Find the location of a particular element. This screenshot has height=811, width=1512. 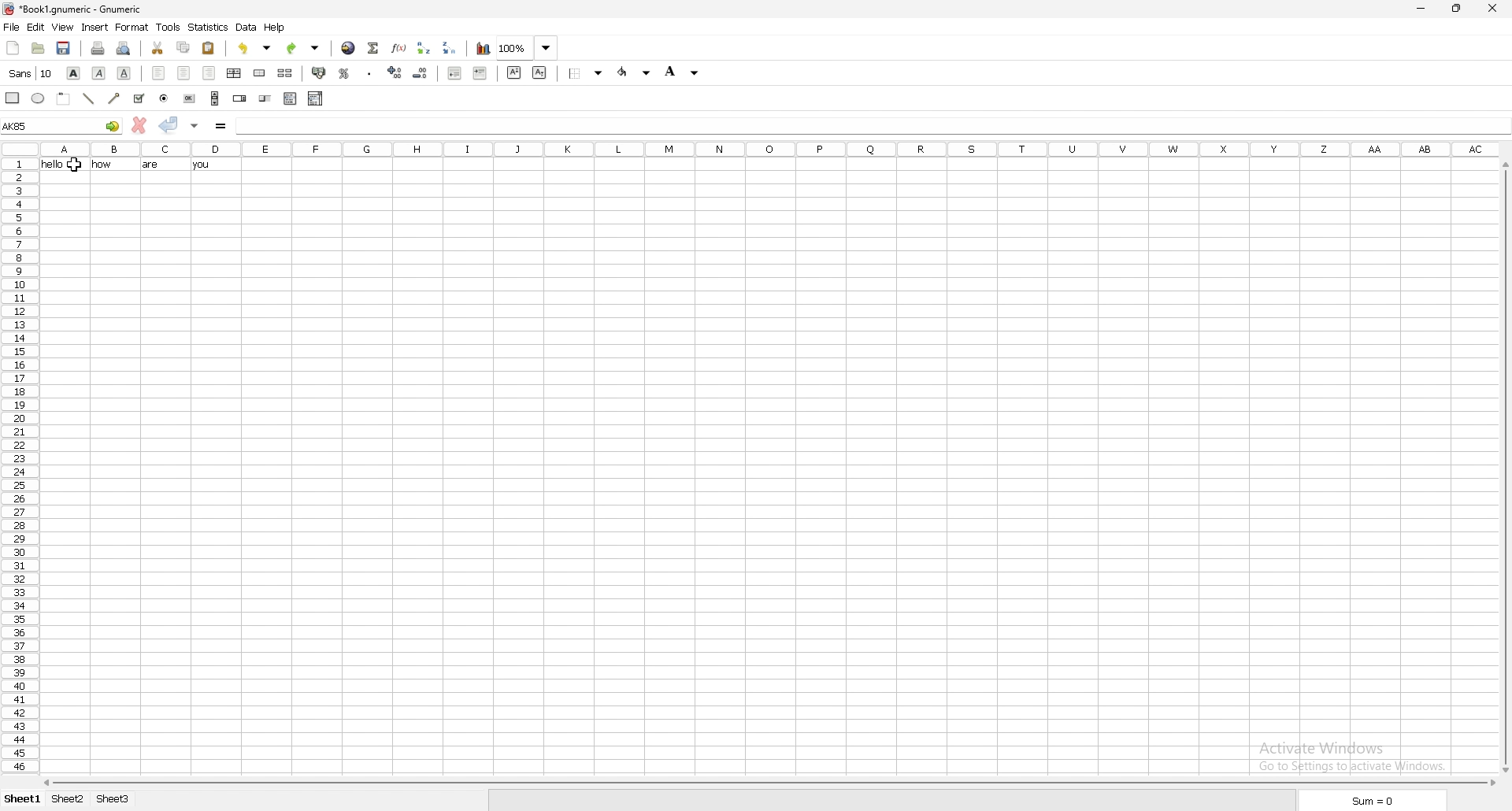

tools is located at coordinates (169, 27).